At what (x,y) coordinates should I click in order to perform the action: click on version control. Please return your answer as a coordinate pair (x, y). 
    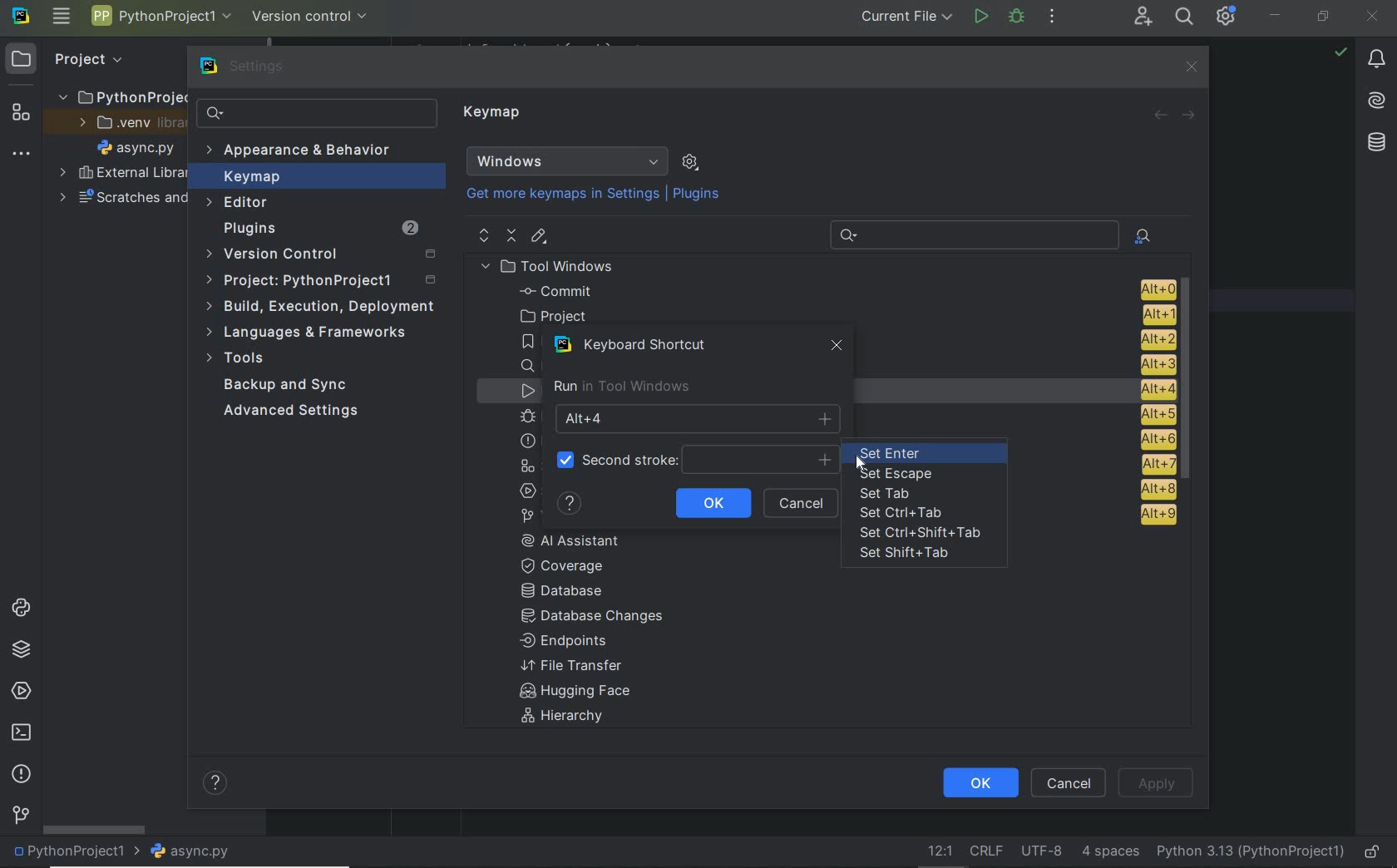
    Looking at the image, I should click on (21, 816).